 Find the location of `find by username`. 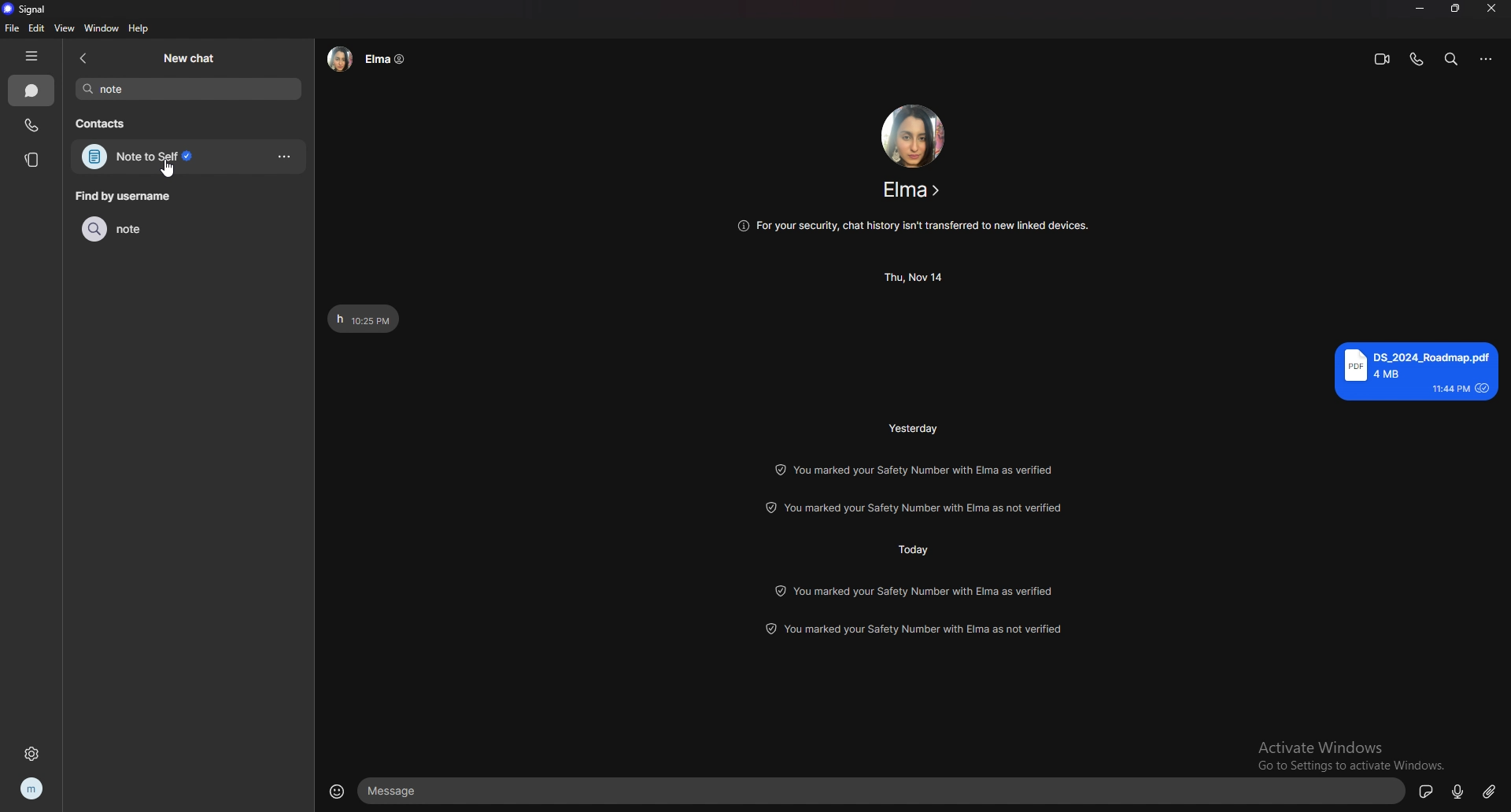

find by username is located at coordinates (127, 196).